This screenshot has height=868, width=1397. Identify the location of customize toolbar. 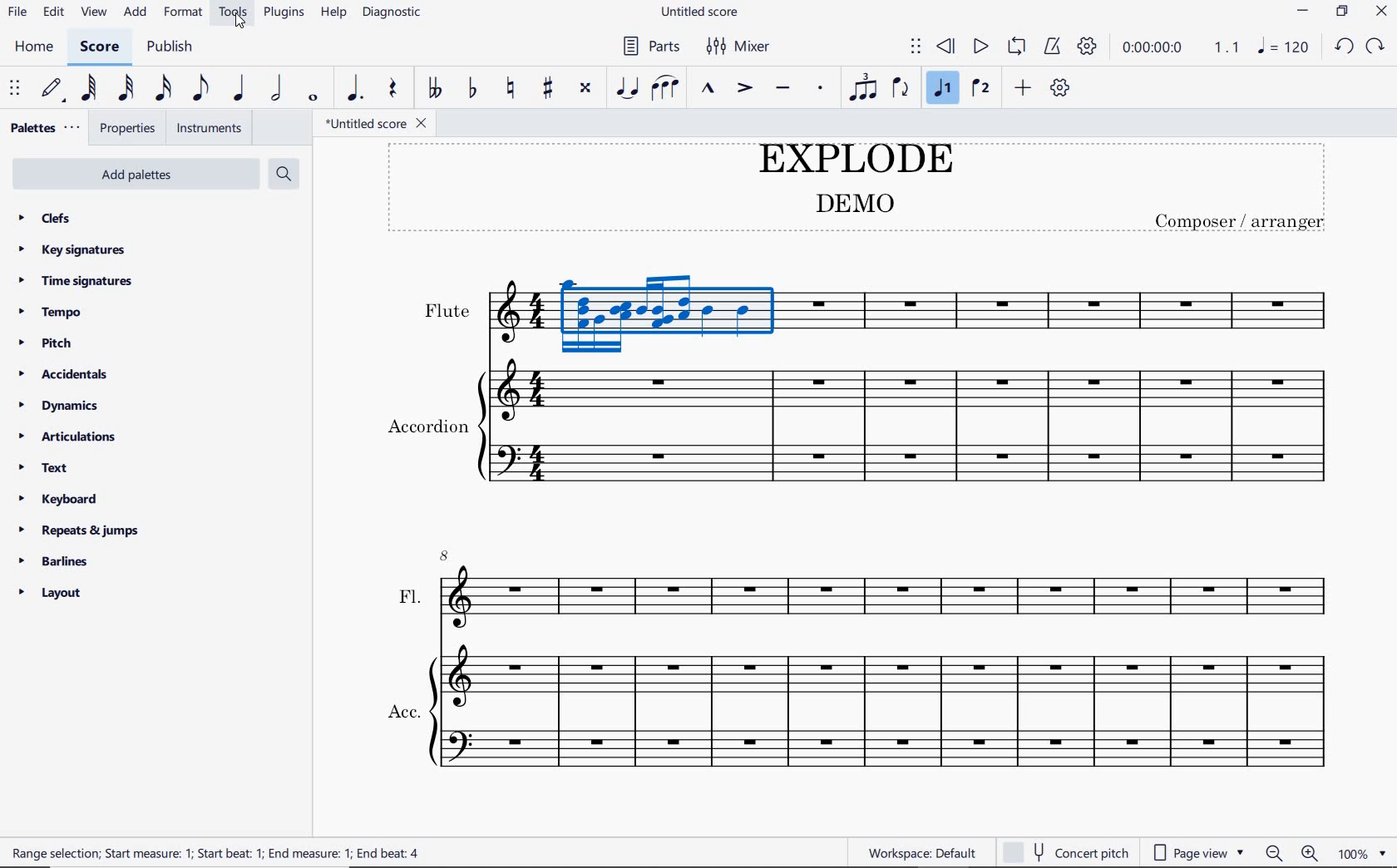
(1063, 87).